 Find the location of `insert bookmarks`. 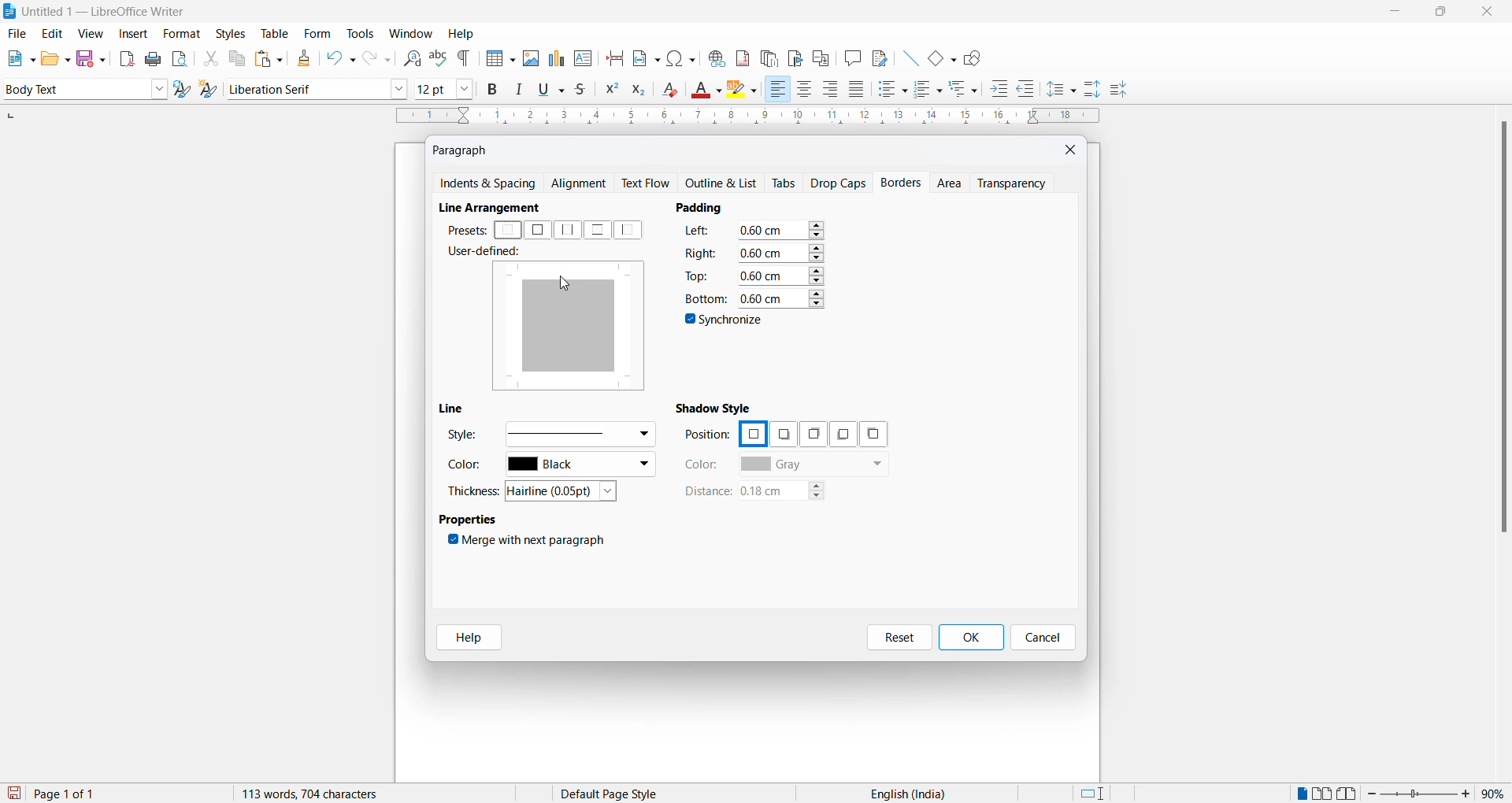

insert bookmarks is located at coordinates (795, 56).